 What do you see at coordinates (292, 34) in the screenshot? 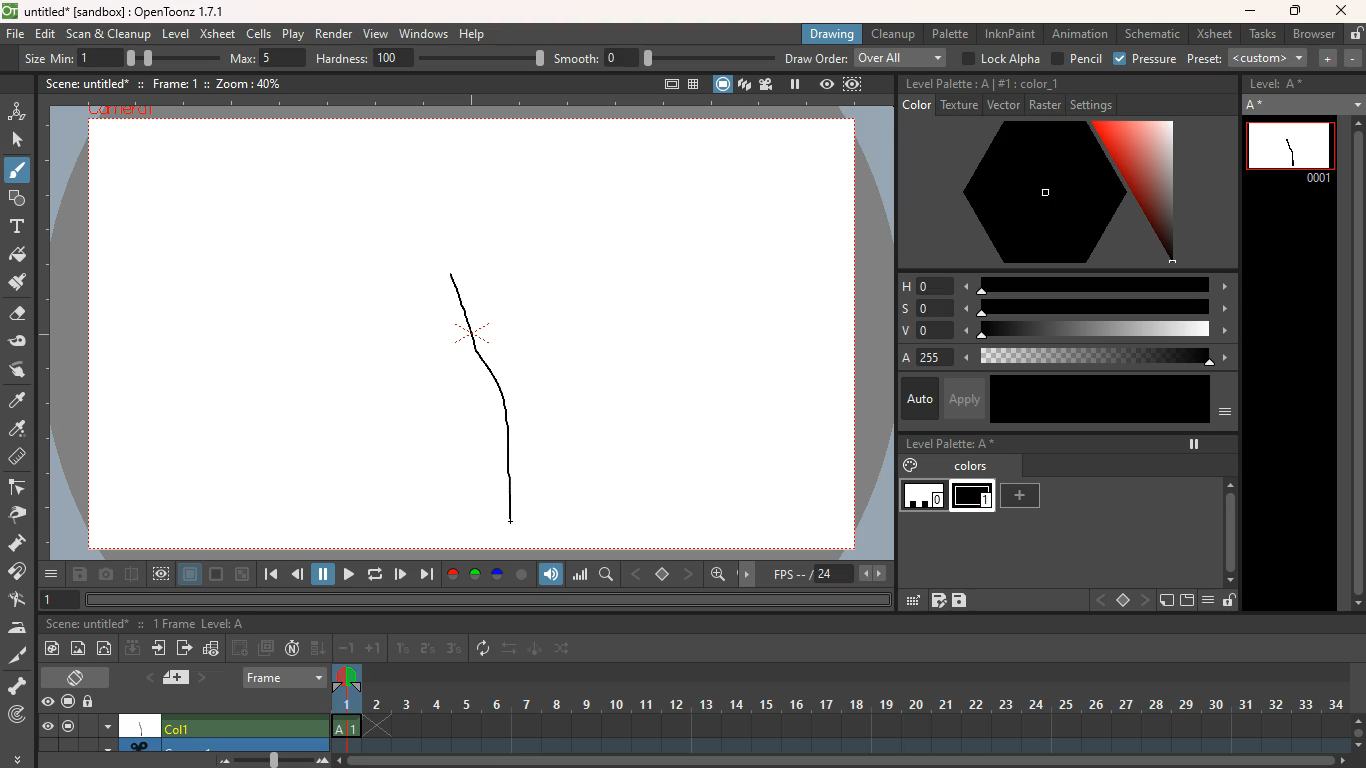
I see `play` at bounding box center [292, 34].